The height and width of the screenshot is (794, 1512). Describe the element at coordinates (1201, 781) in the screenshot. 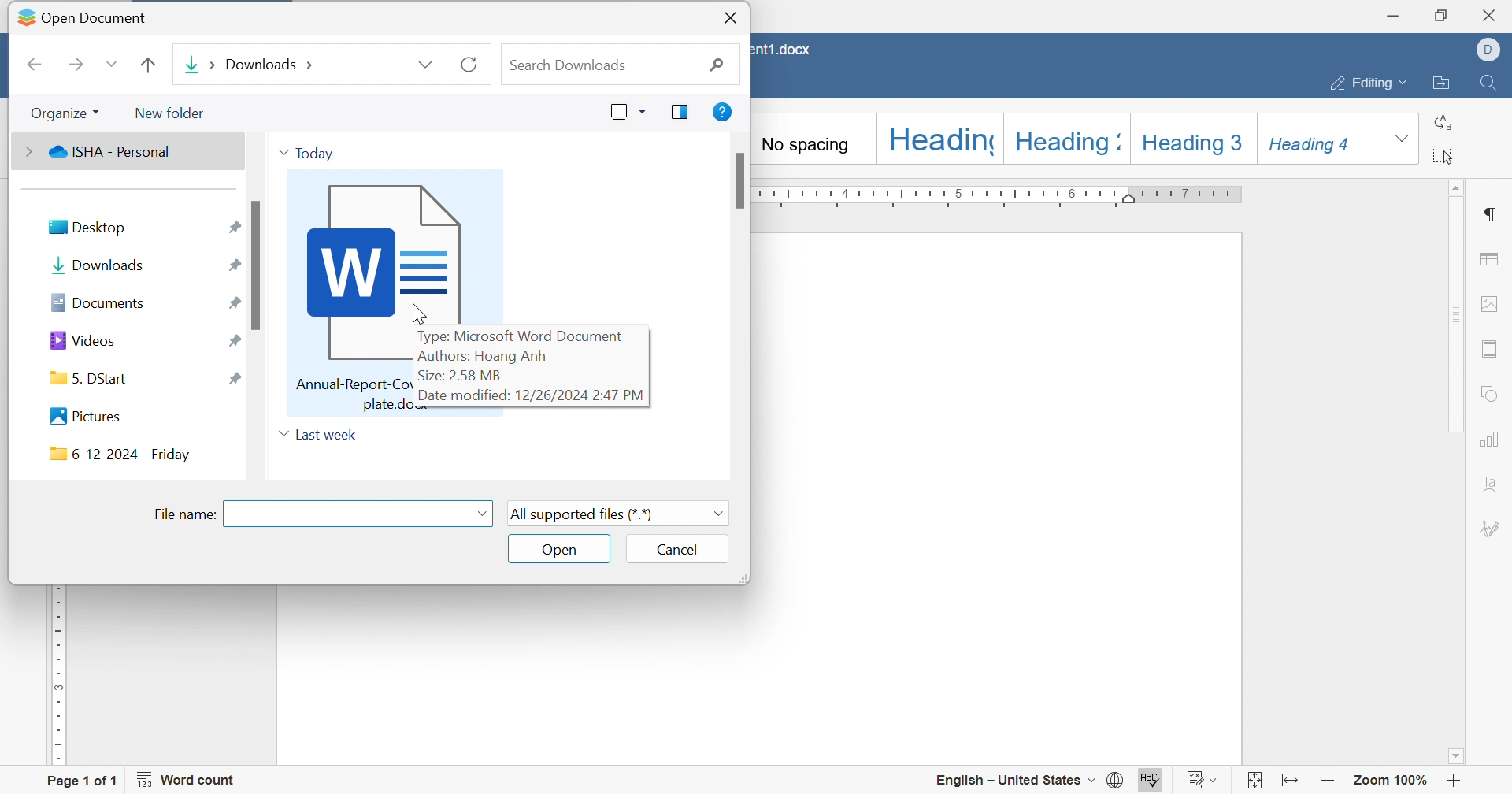

I see `track changes` at that location.